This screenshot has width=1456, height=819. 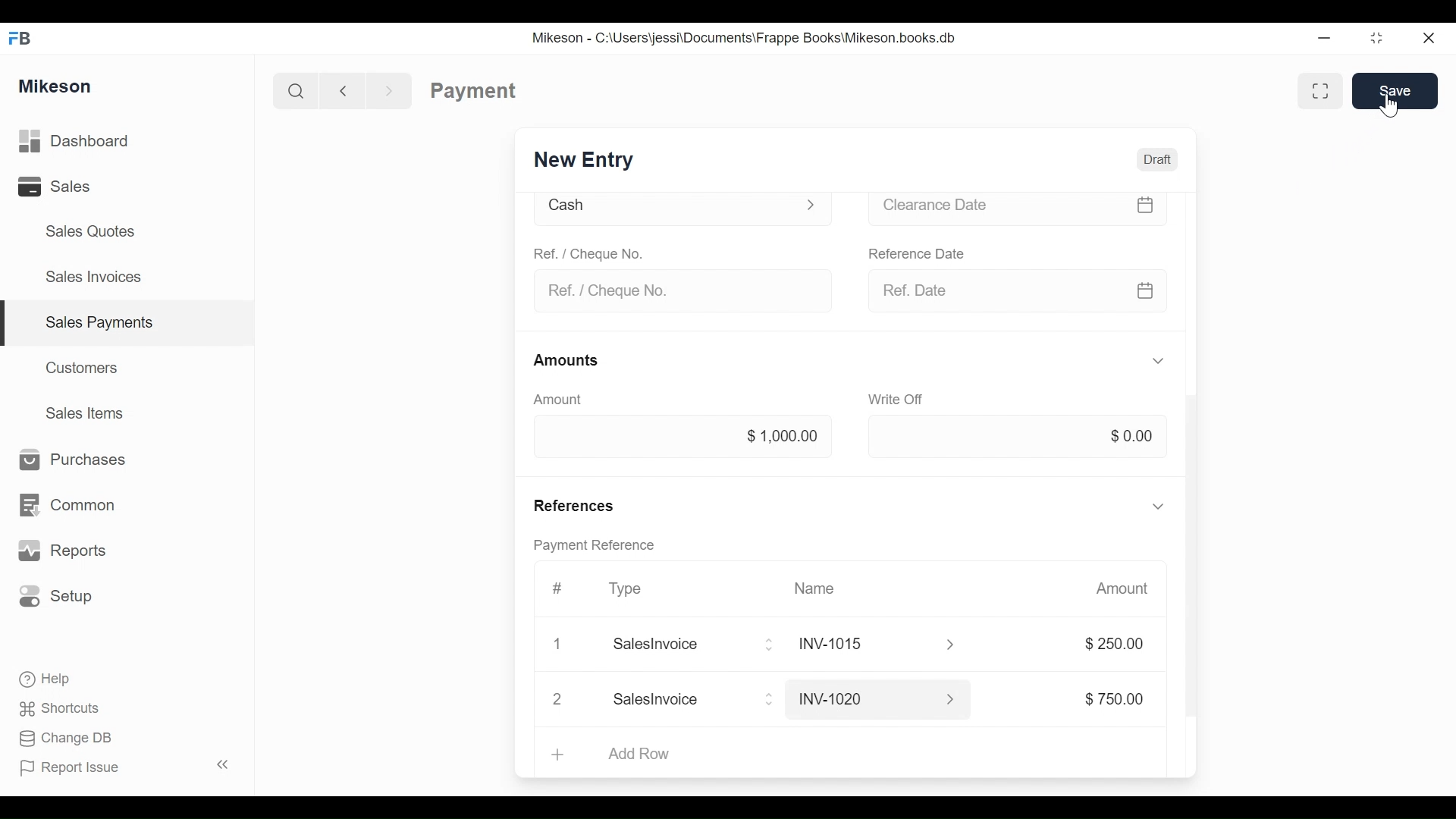 I want to click on Add Row, so click(x=637, y=755).